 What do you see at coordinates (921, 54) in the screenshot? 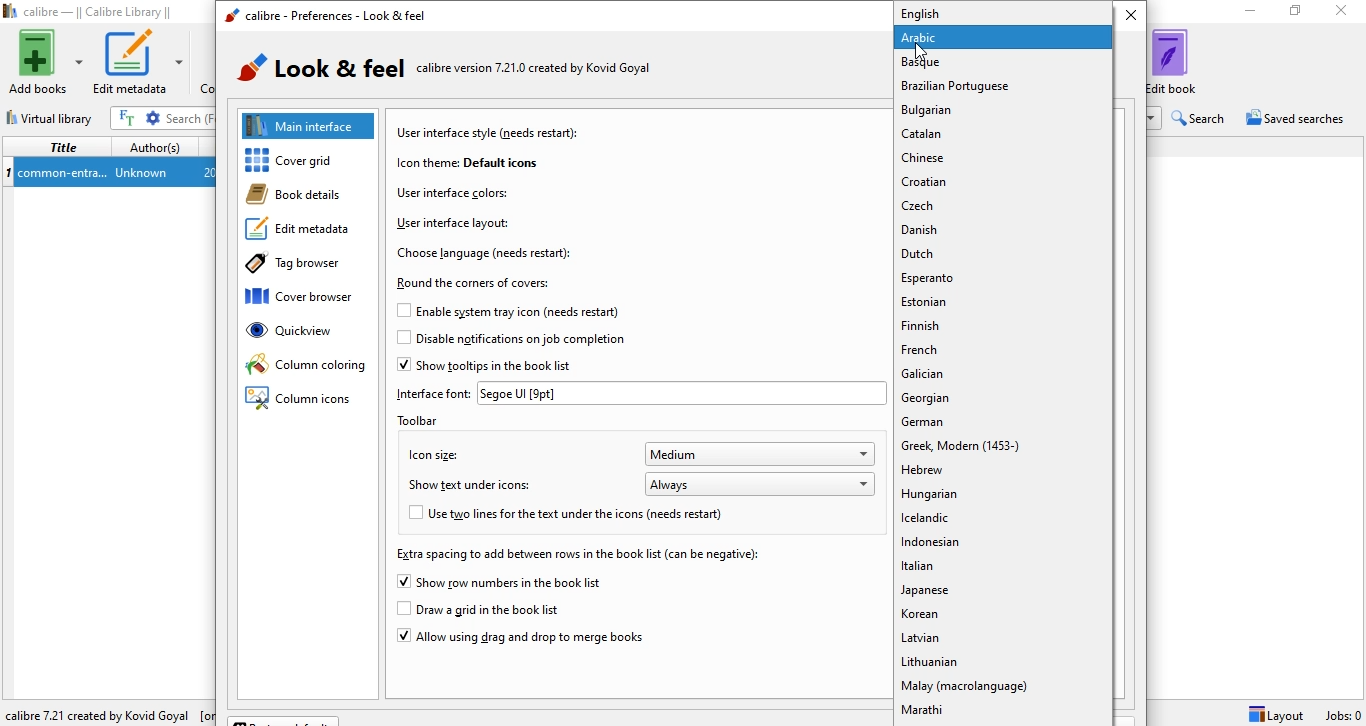
I see `cursor` at bounding box center [921, 54].